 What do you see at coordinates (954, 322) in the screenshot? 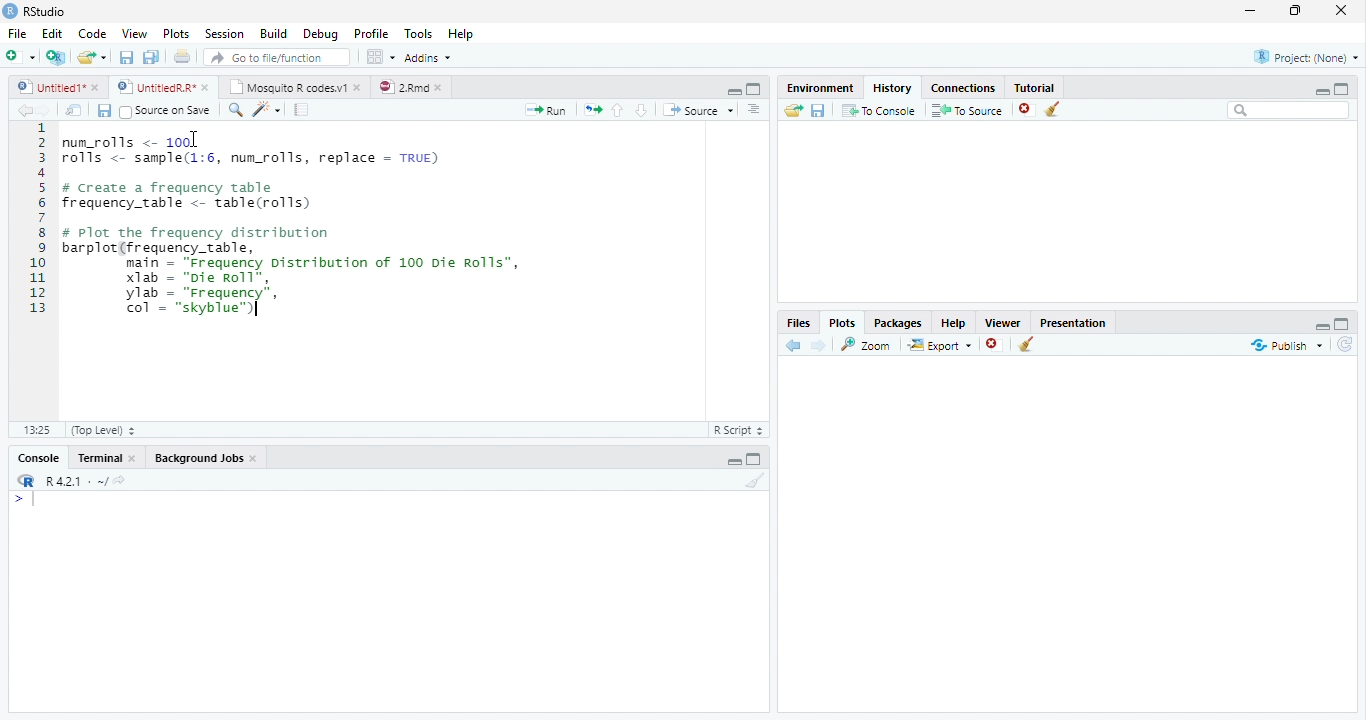
I see `Help` at bounding box center [954, 322].